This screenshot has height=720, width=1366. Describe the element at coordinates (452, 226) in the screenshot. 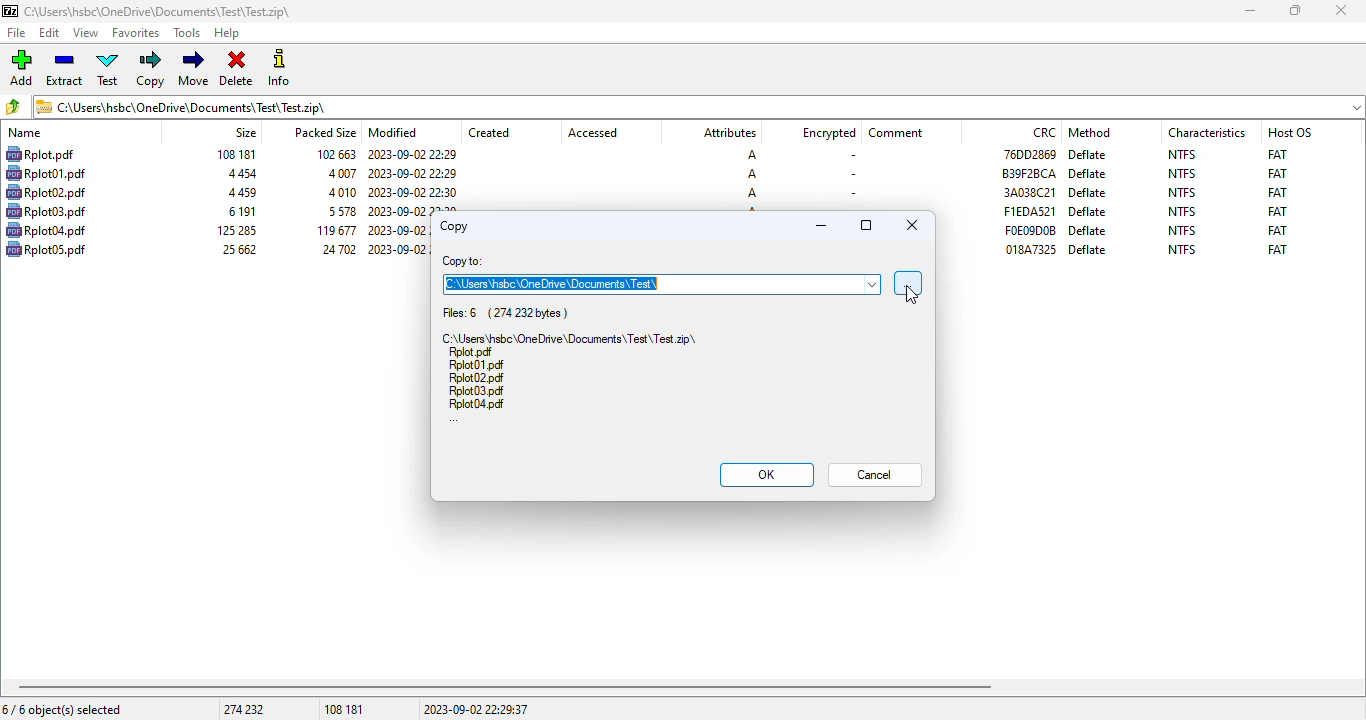

I see `copy` at that location.